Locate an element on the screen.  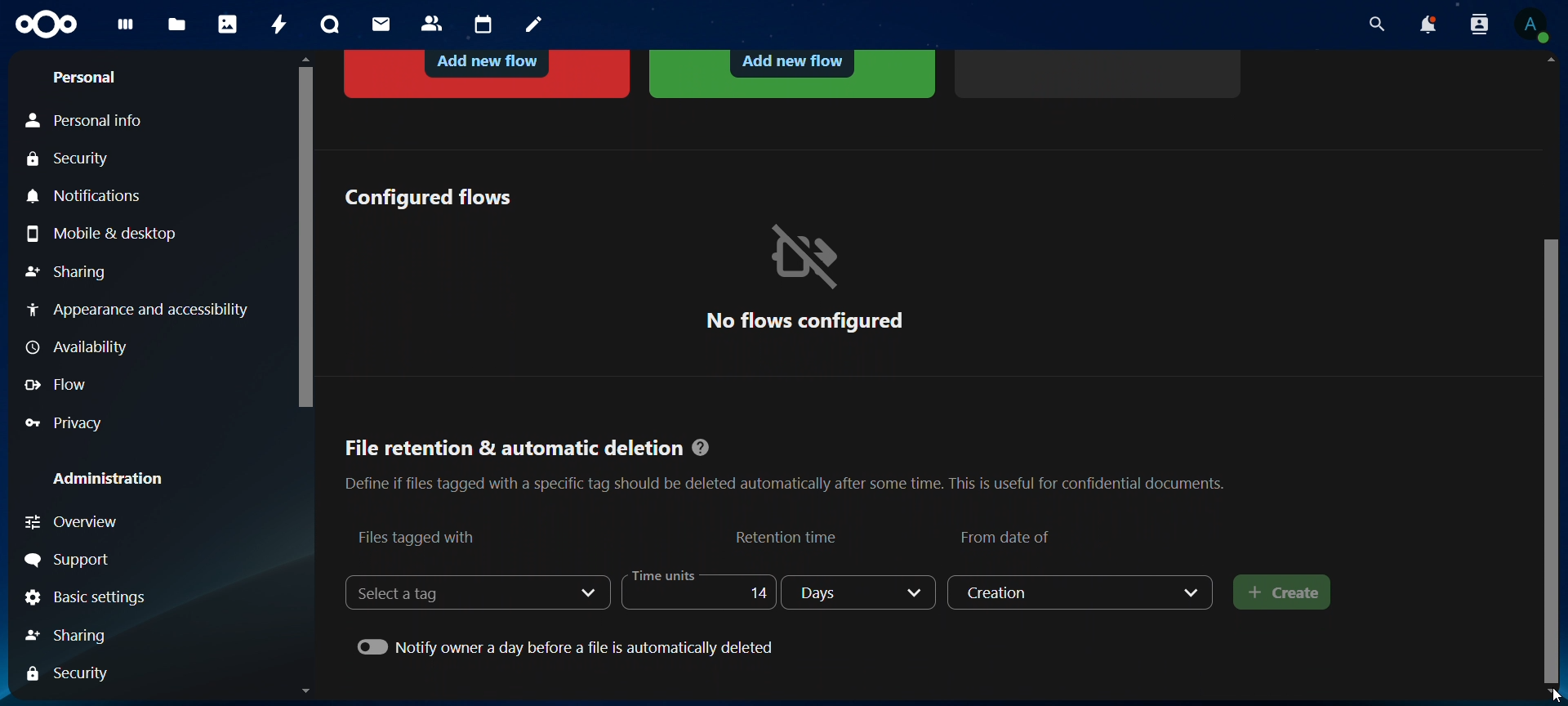
notifications is located at coordinates (1427, 25).